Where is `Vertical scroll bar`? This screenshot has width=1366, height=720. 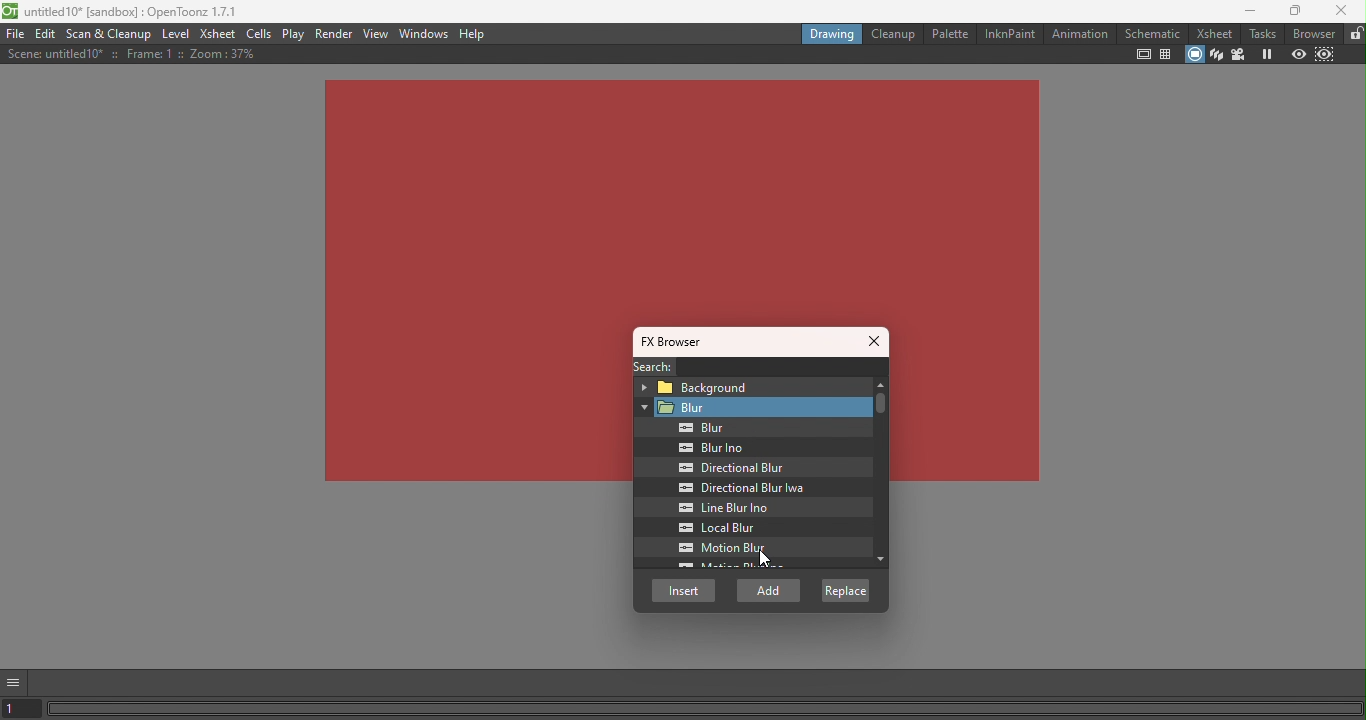
Vertical scroll bar is located at coordinates (877, 475).